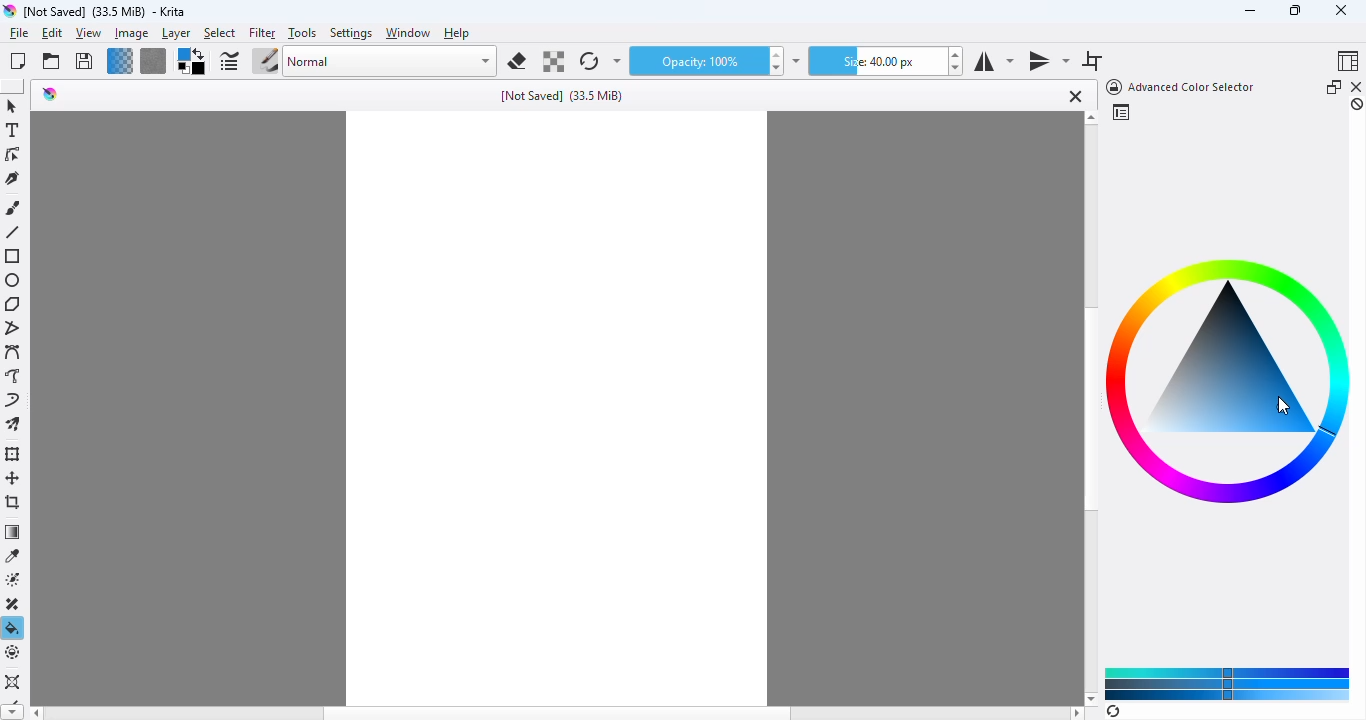  Describe the element at coordinates (14, 556) in the screenshot. I see `sample a color from the image or current layer` at that location.